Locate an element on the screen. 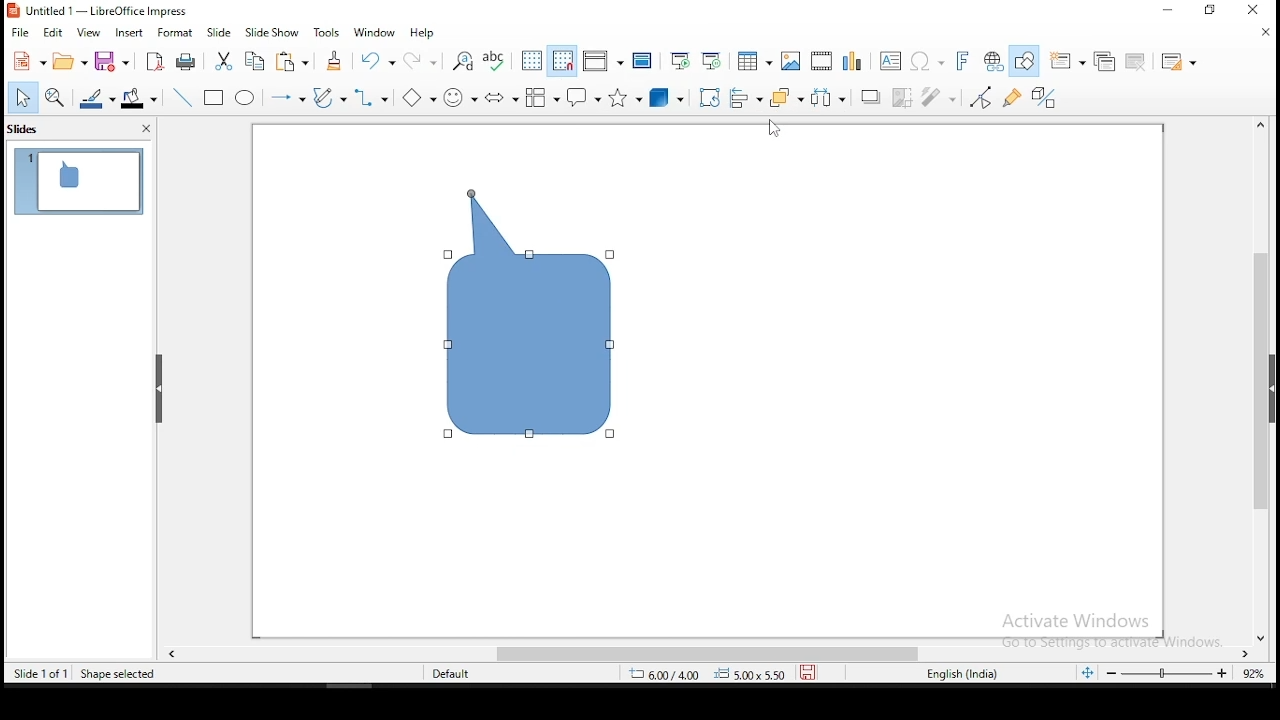 This screenshot has height=720, width=1280. clone formatting is located at coordinates (338, 61).